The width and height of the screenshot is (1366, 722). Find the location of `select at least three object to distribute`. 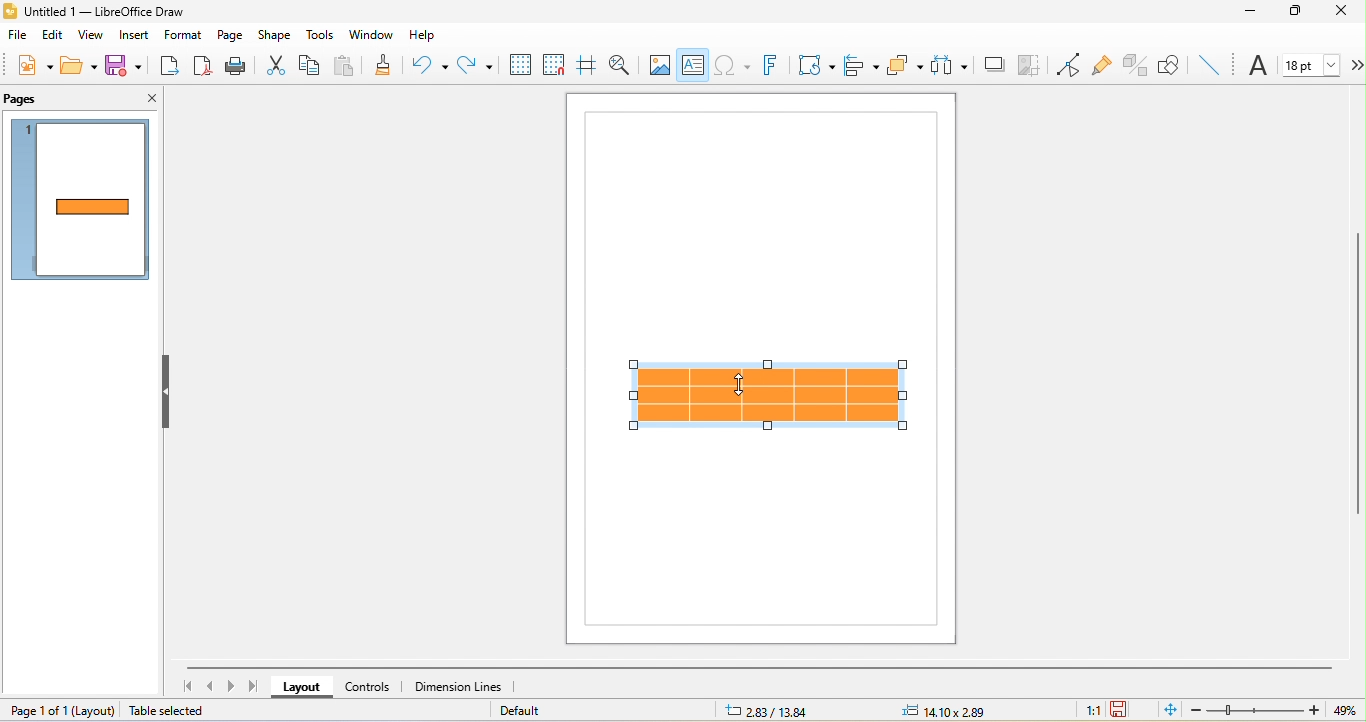

select at least three object to distribute is located at coordinates (950, 64).